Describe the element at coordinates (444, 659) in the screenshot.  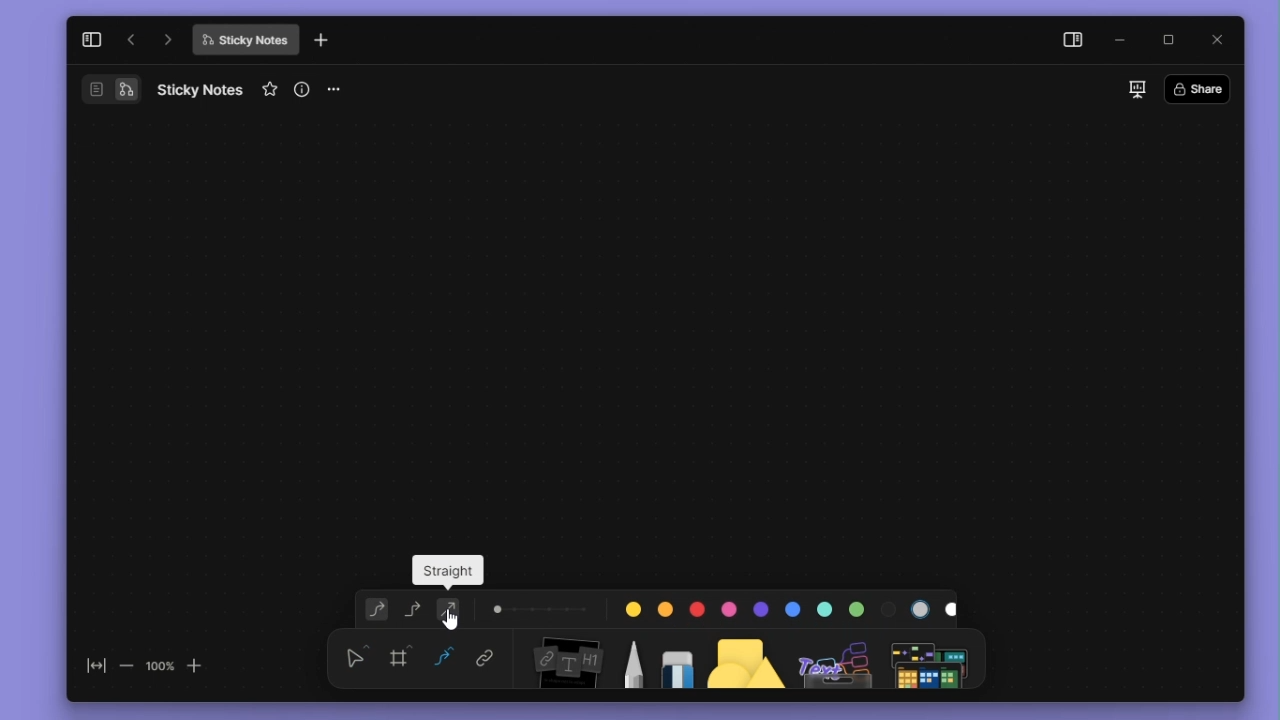
I see `straight` at that location.